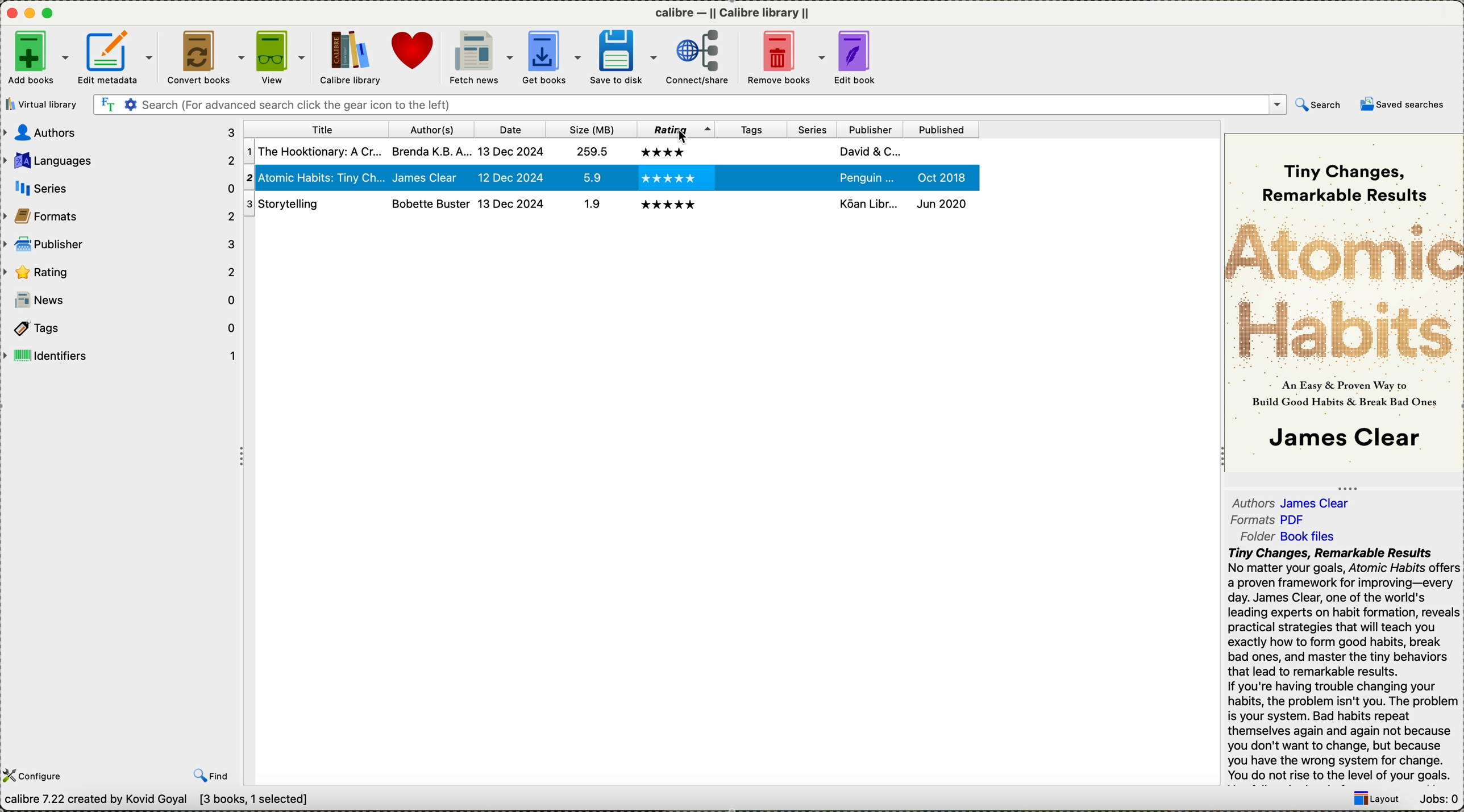 The width and height of the screenshot is (1464, 812). What do you see at coordinates (206, 57) in the screenshot?
I see `convert books` at bounding box center [206, 57].